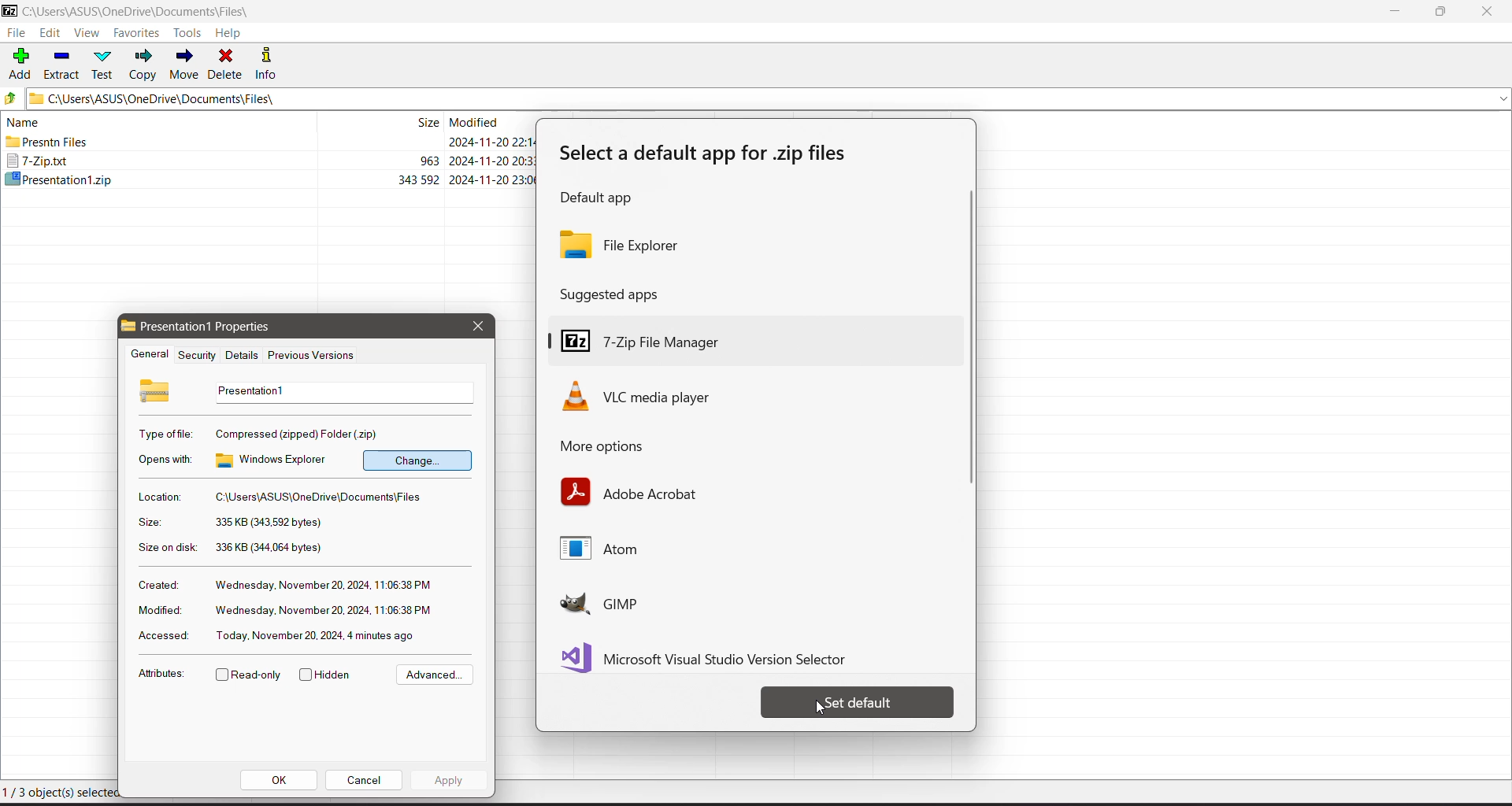 The width and height of the screenshot is (1512, 806). What do you see at coordinates (270, 548) in the screenshot?
I see `Total size of the selected file` at bounding box center [270, 548].